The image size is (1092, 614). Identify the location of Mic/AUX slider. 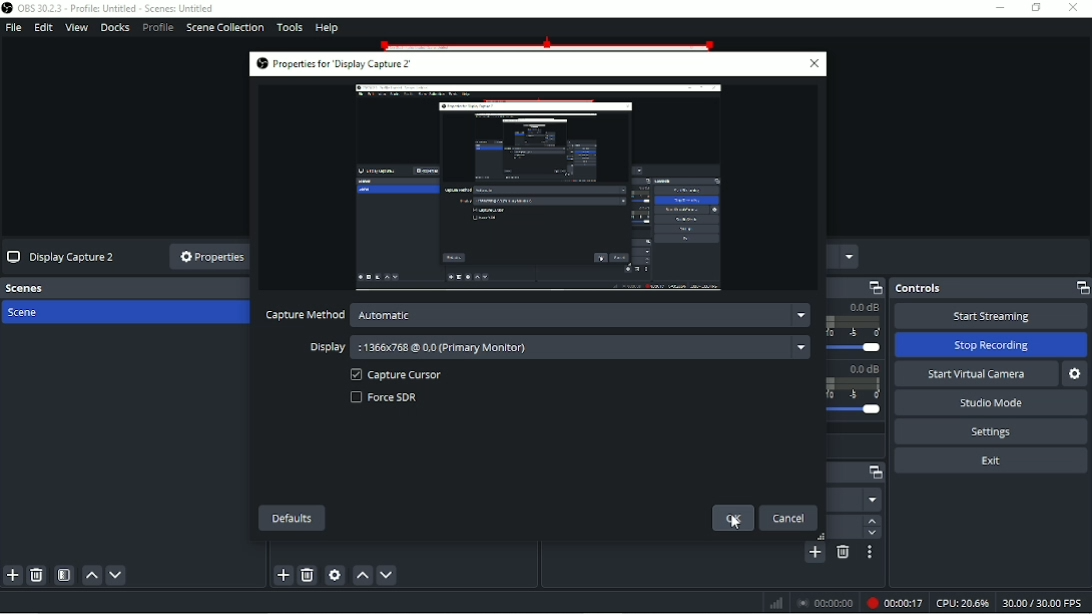
(856, 393).